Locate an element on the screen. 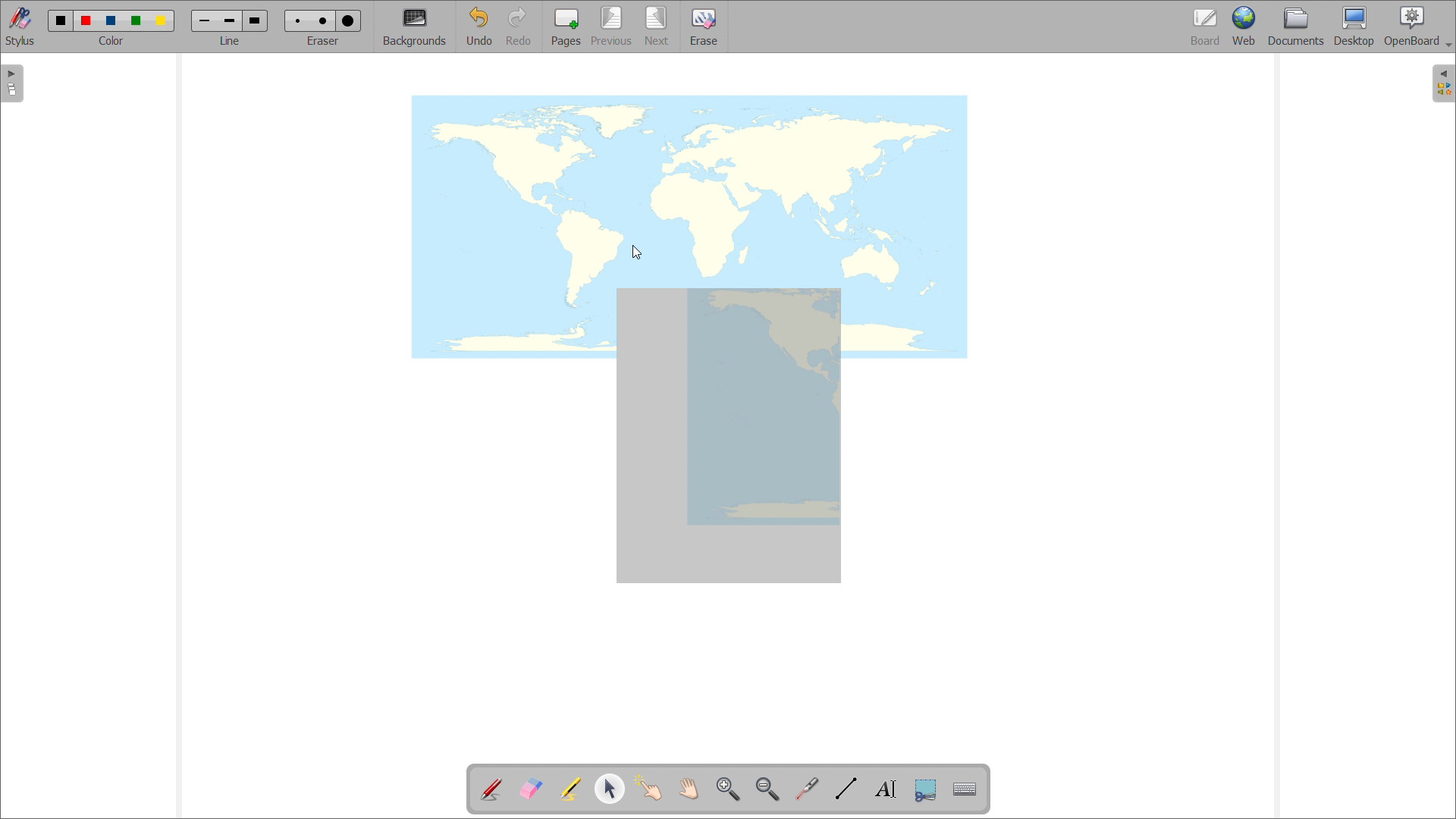  virtual laser pointer is located at coordinates (806, 789).